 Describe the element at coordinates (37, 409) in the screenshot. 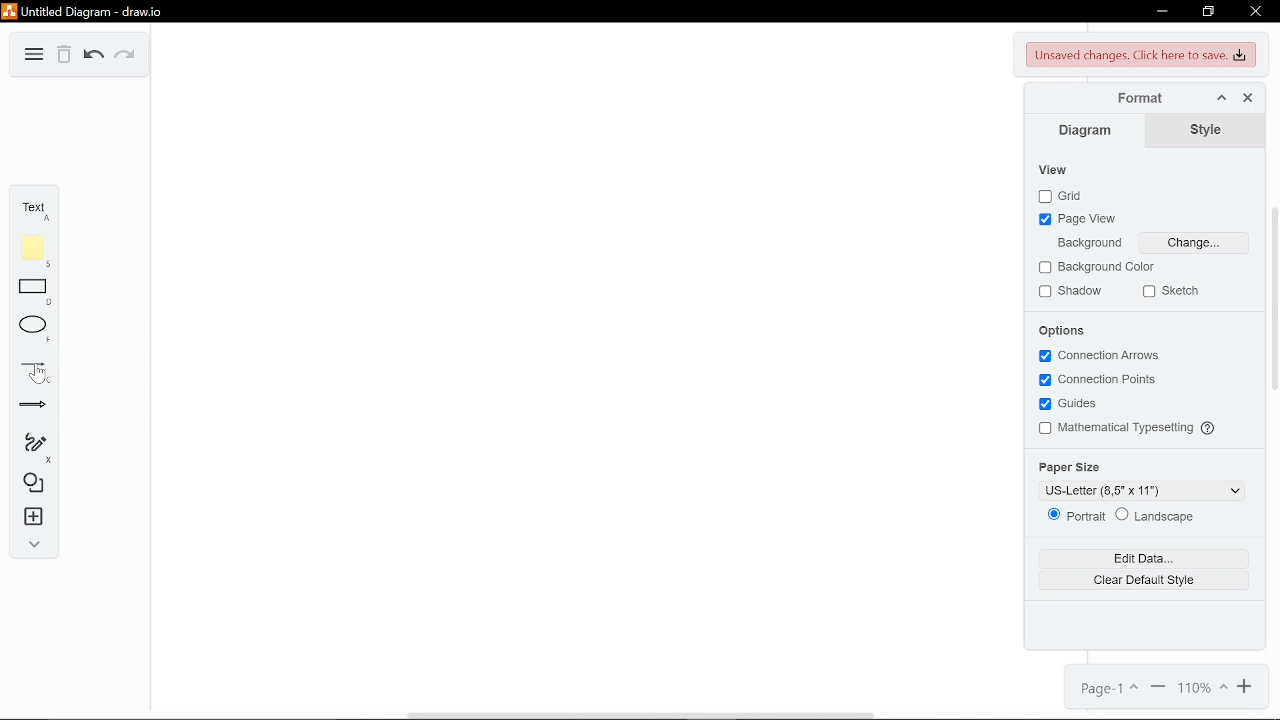

I see `Arrow` at that location.